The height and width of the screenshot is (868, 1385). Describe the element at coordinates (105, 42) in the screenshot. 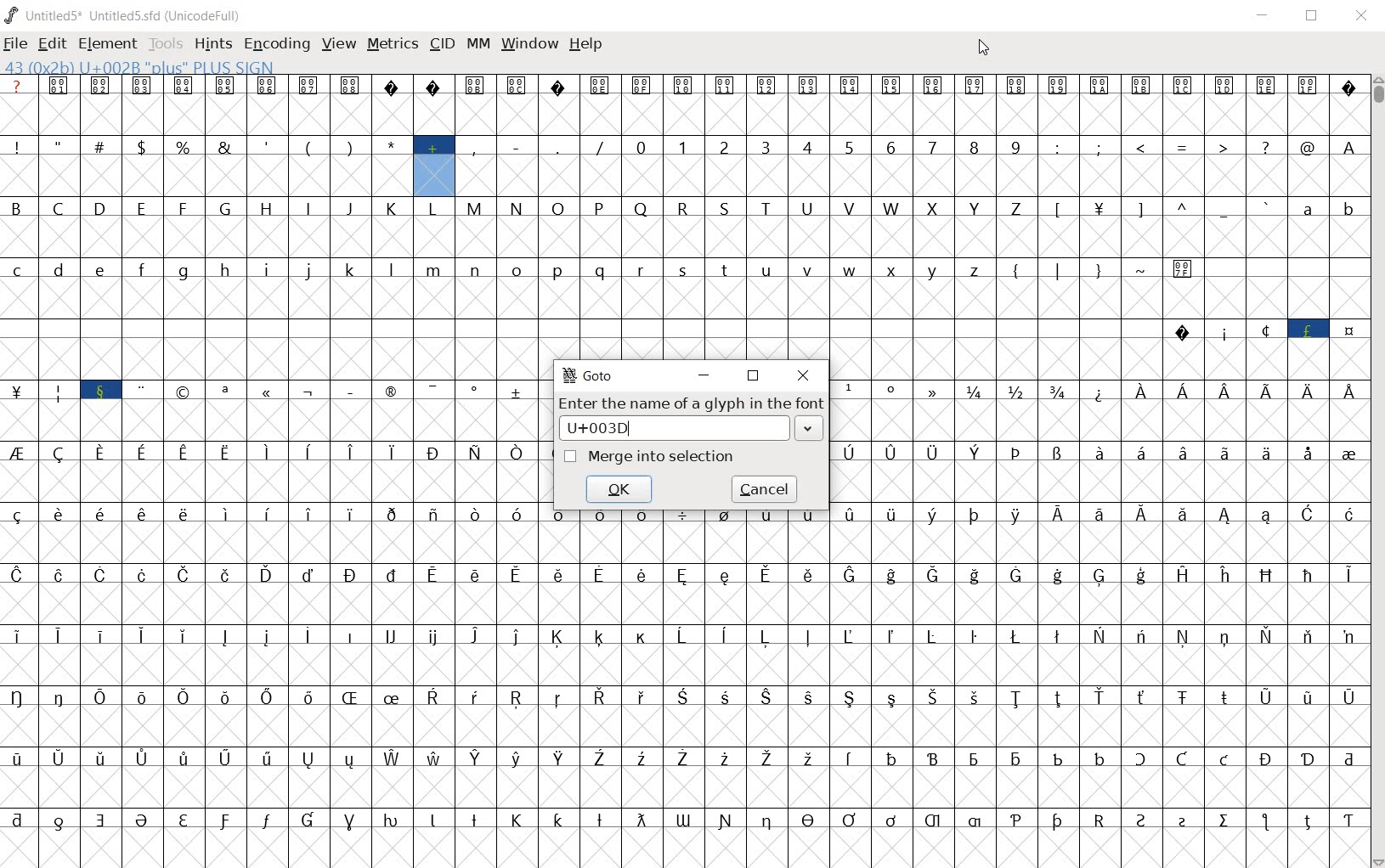

I see `element` at that location.